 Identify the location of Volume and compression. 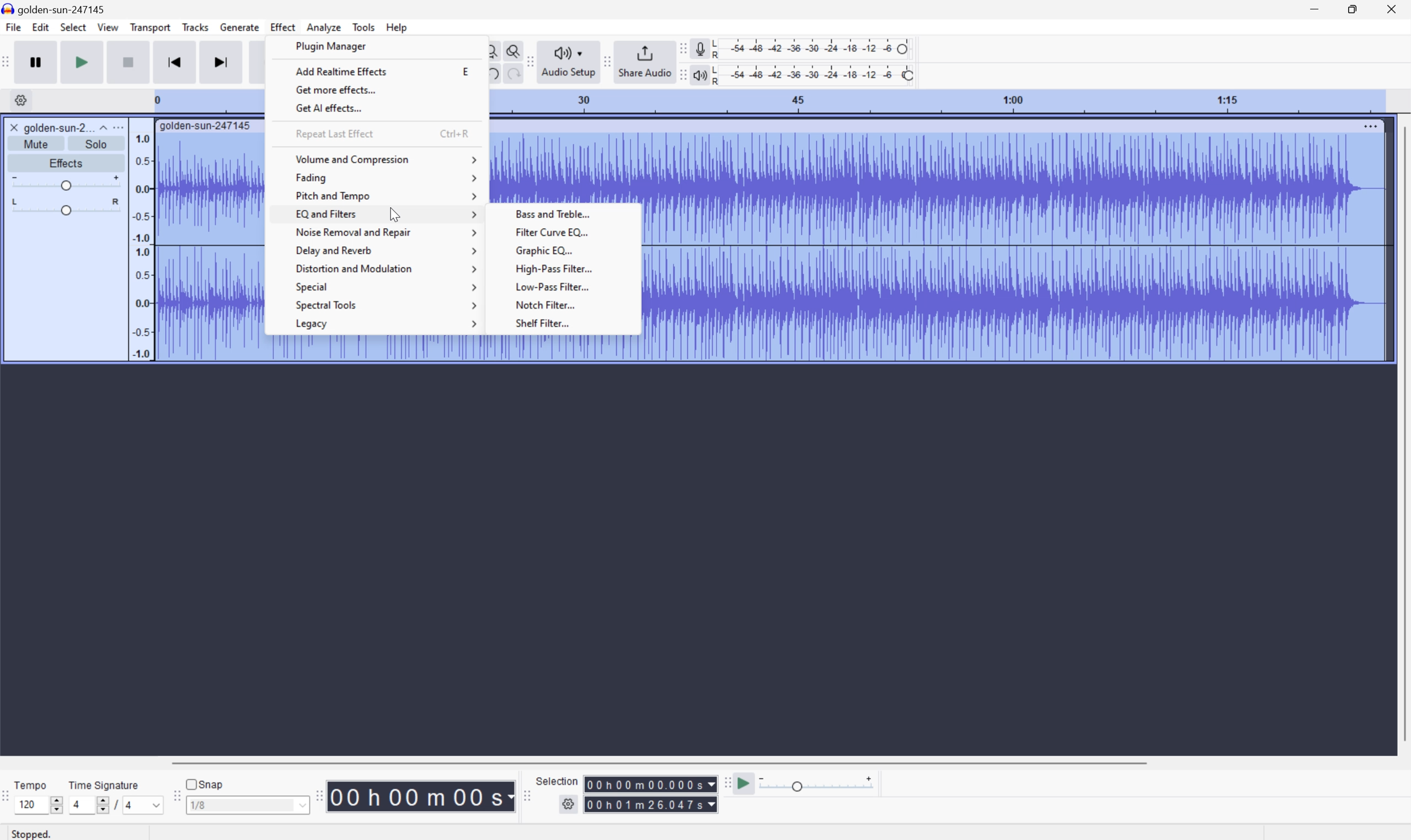
(389, 160).